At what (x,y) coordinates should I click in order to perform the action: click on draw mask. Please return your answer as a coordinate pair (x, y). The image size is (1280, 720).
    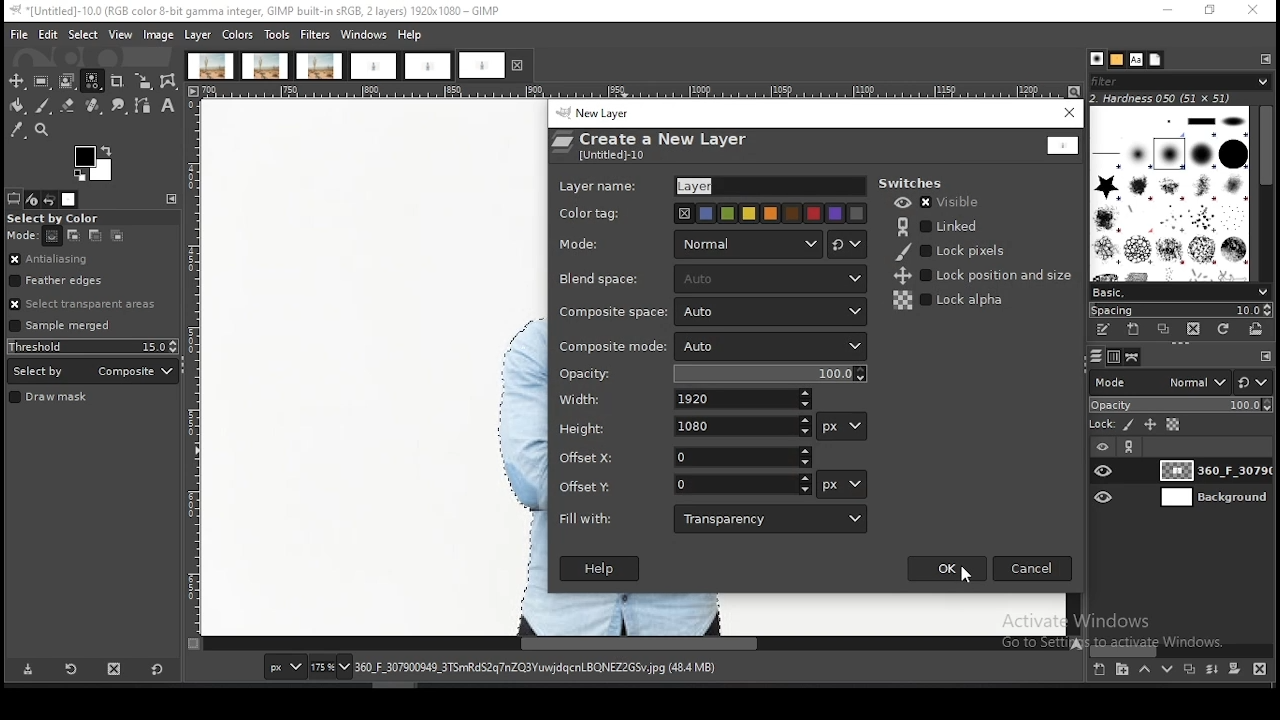
    Looking at the image, I should click on (51, 398).